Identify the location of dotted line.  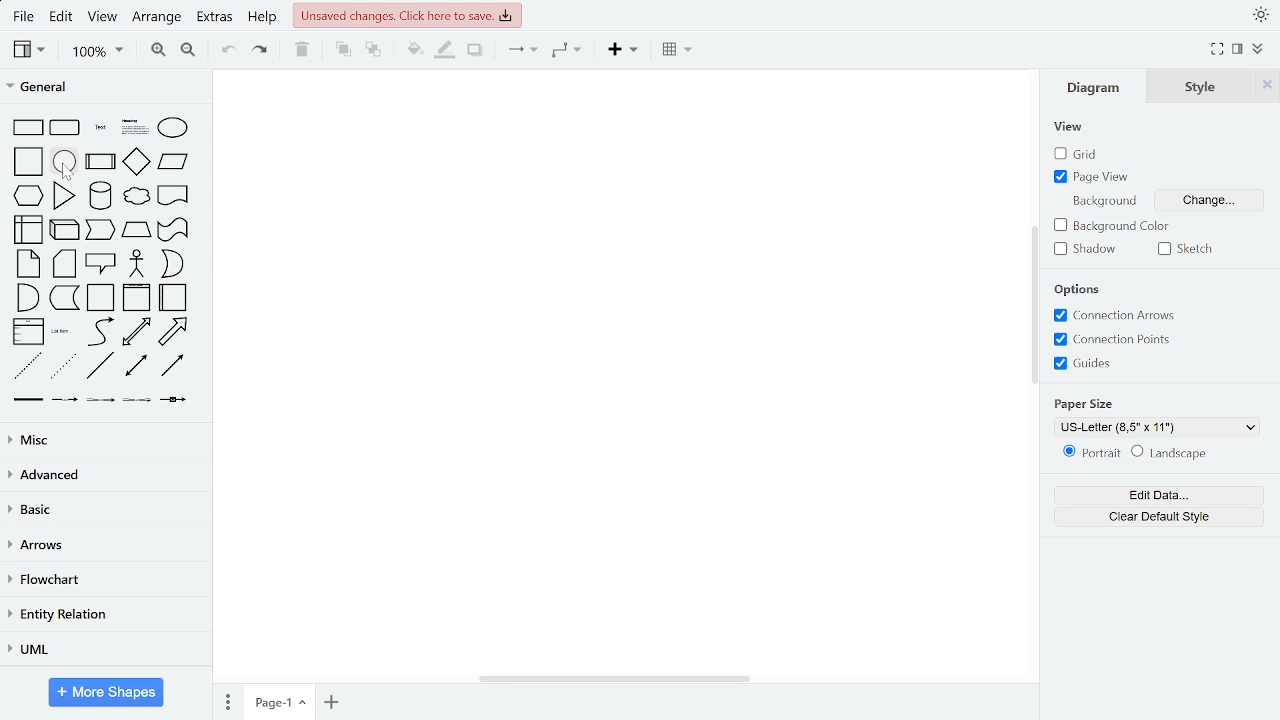
(63, 365).